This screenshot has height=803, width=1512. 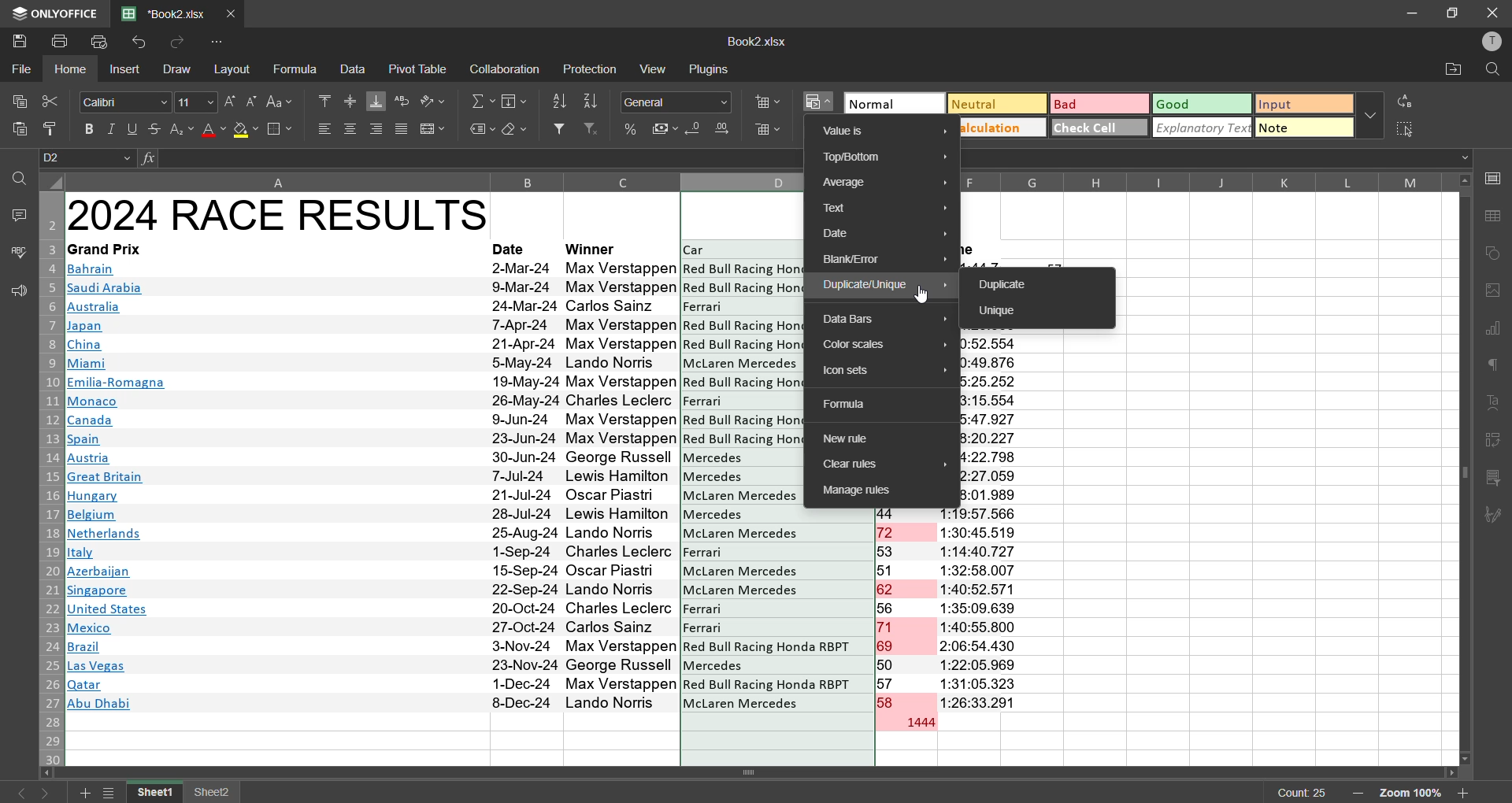 What do you see at coordinates (1203, 180) in the screenshot?
I see `column names` at bounding box center [1203, 180].